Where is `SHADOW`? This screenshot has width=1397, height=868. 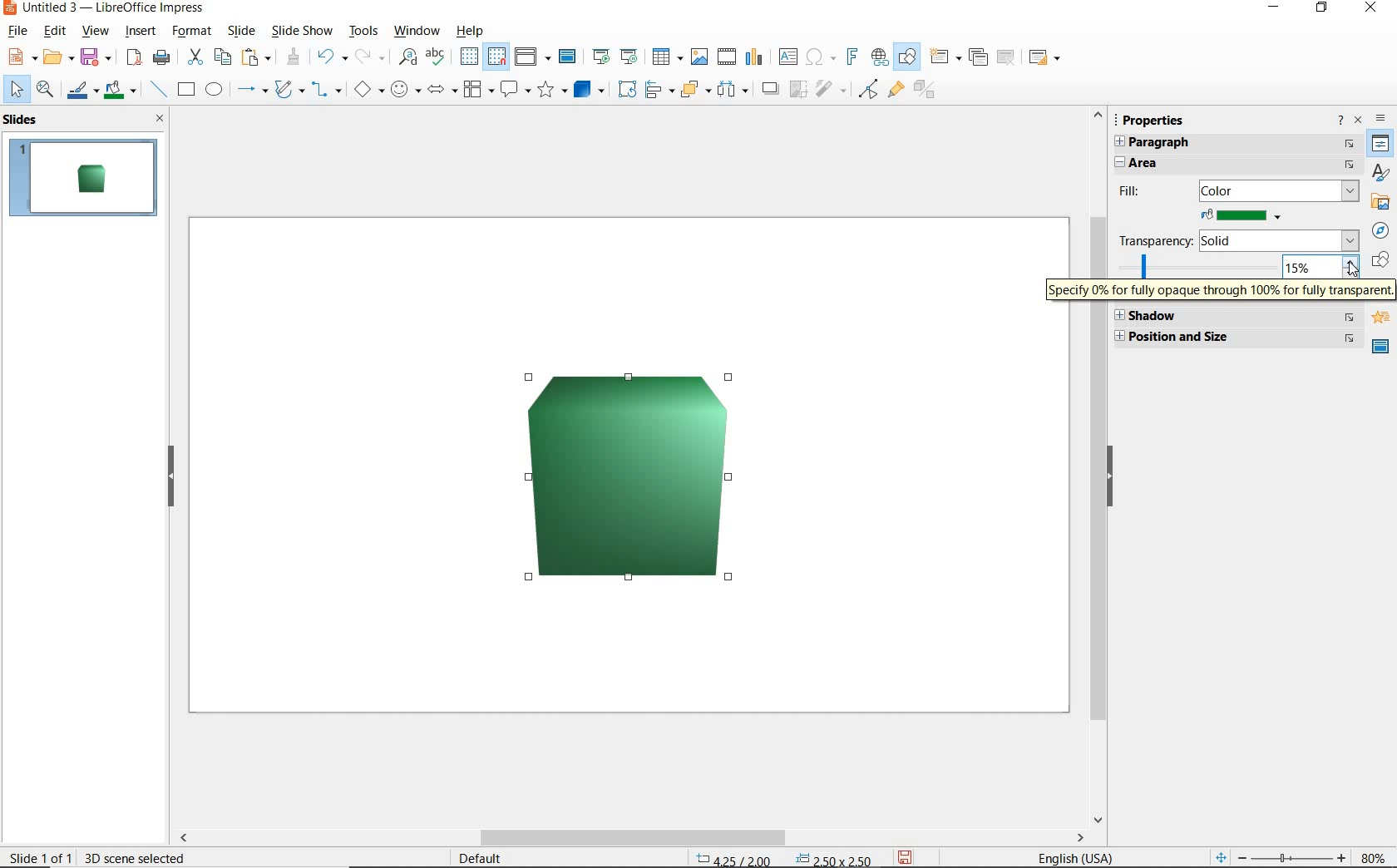 SHADOW is located at coordinates (1237, 318).